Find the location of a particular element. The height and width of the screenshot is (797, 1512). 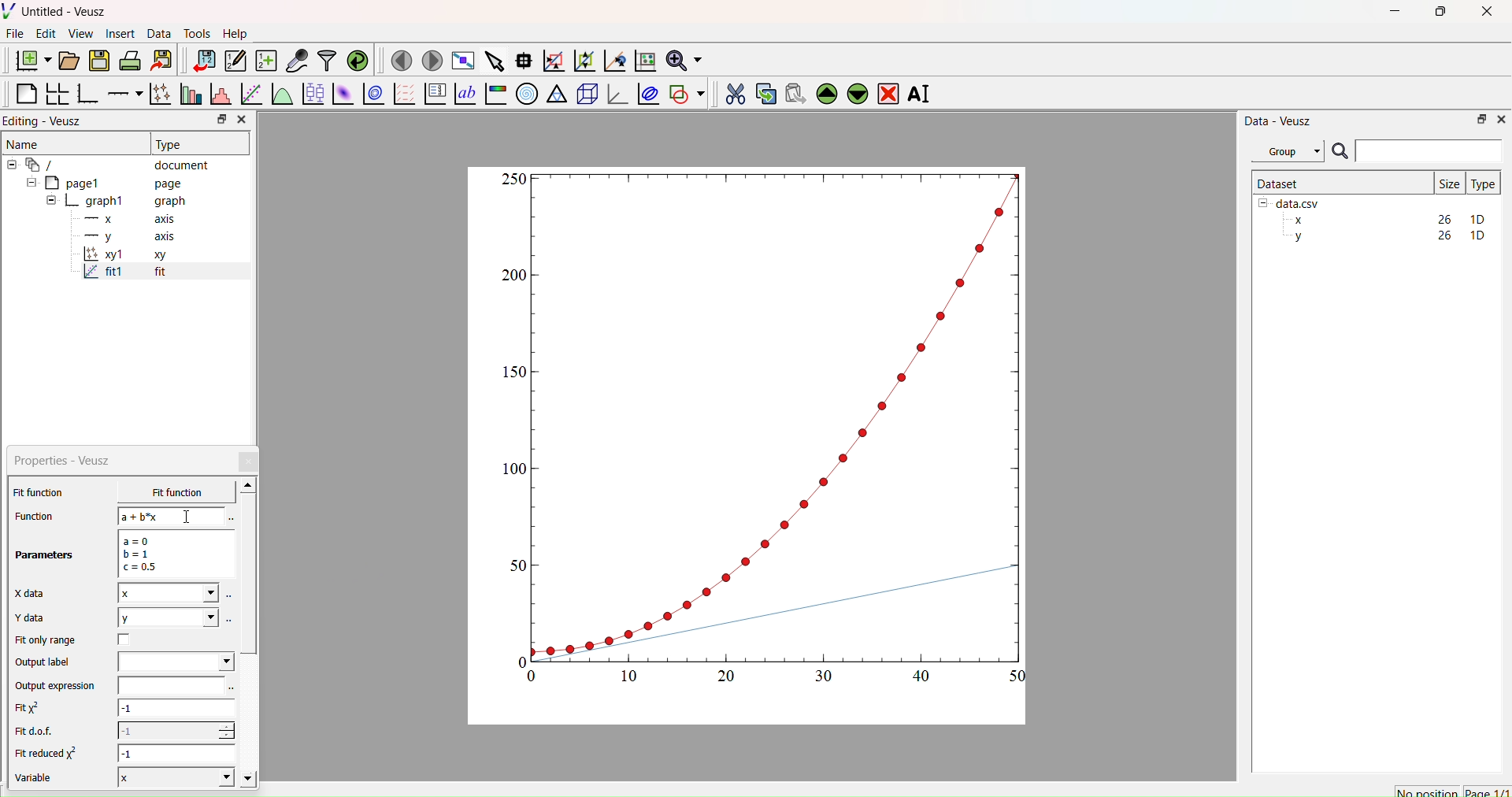

Filter data is located at coordinates (326, 60).